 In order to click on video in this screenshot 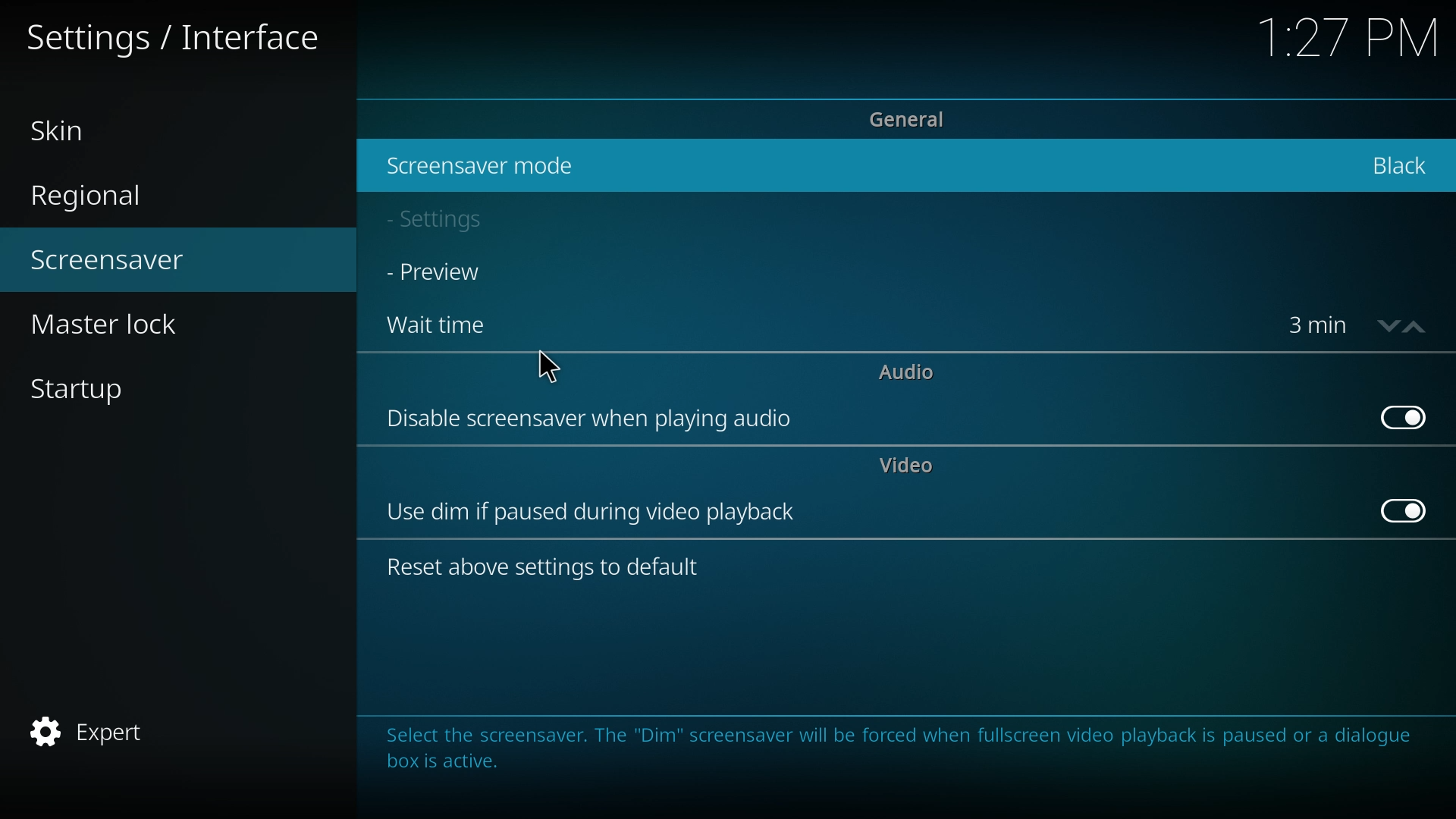, I will do `click(902, 465)`.